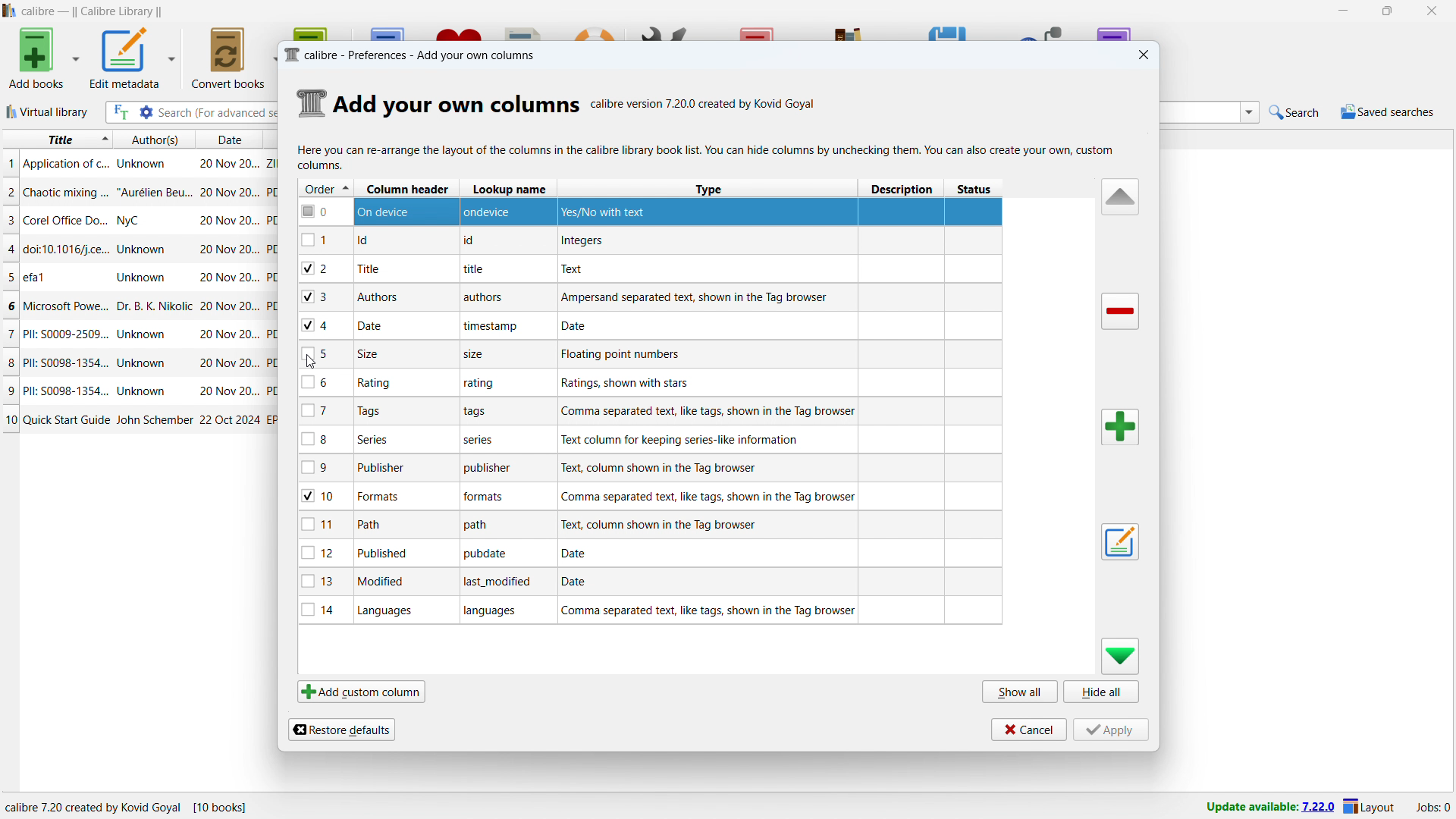  What do you see at coordinates (629, 355) in the screenshot?
I see `Floating point numbers` at bounding box center [629, 355].